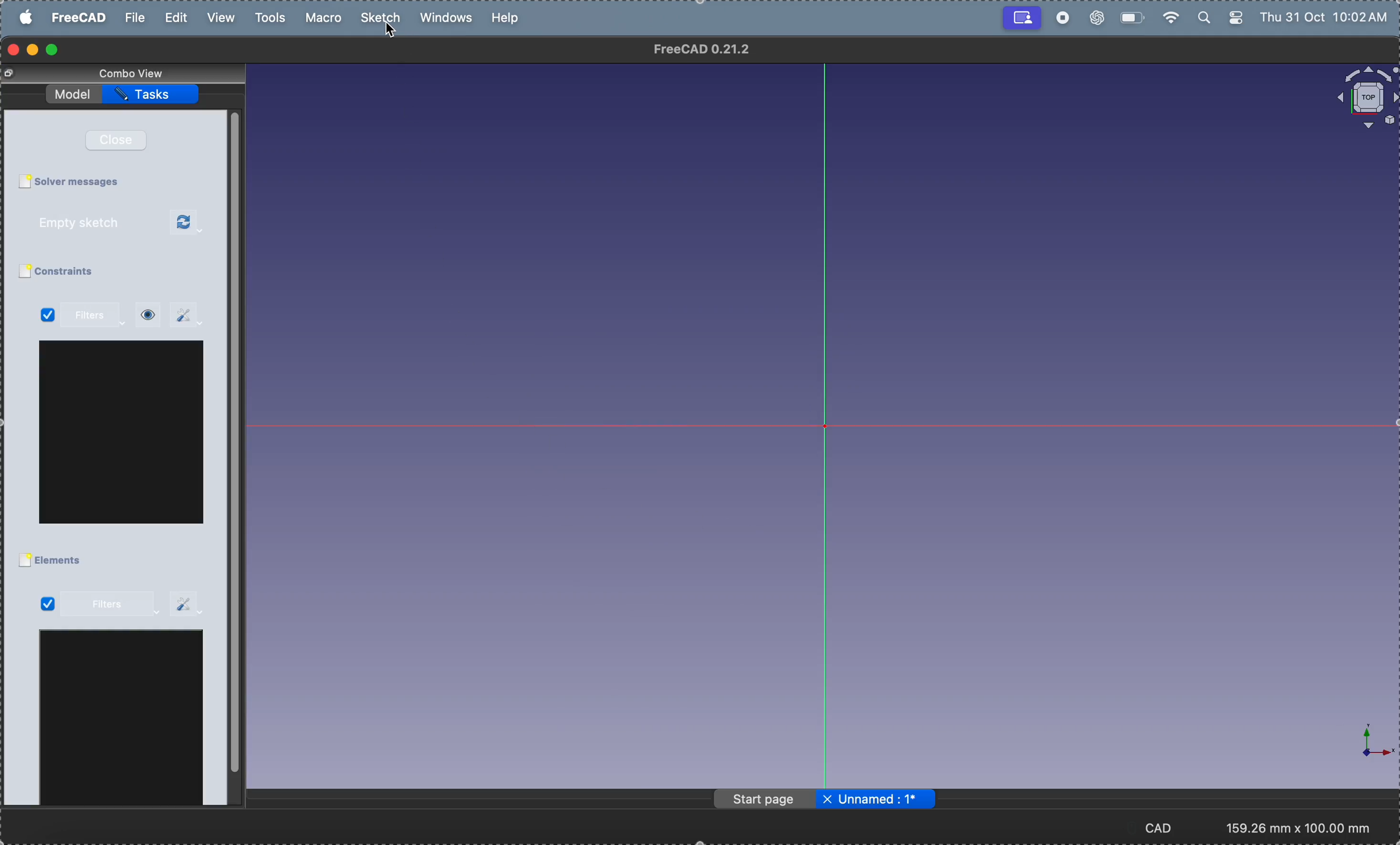 The height and width of the screenshot is (845, 1400). What do you see at coordinates (273, 18) in the screenshot?
I see `tools` at bounding box center [273, 18].